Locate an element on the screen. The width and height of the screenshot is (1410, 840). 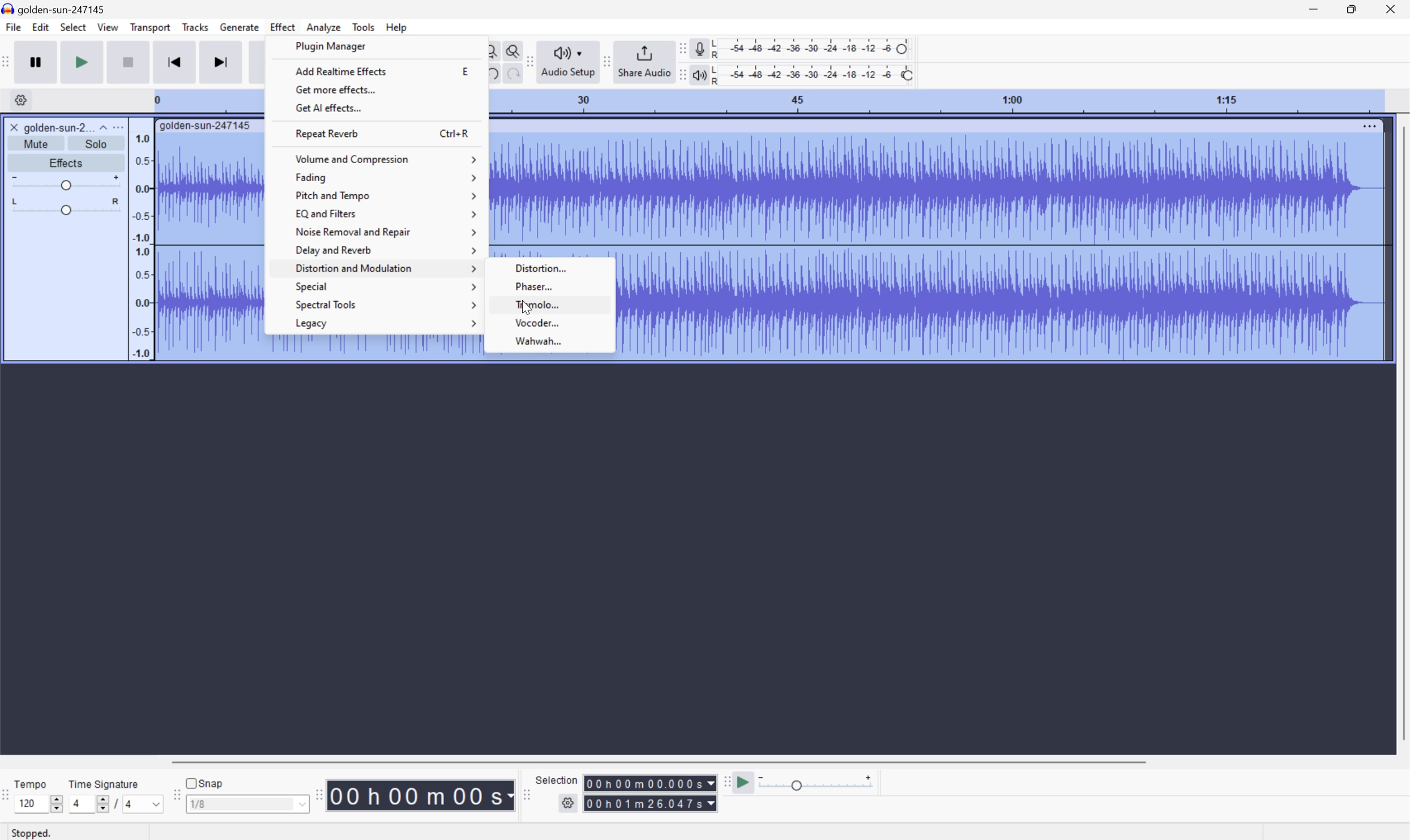
Distortion and Modulation is located at coordinates (385, 270).